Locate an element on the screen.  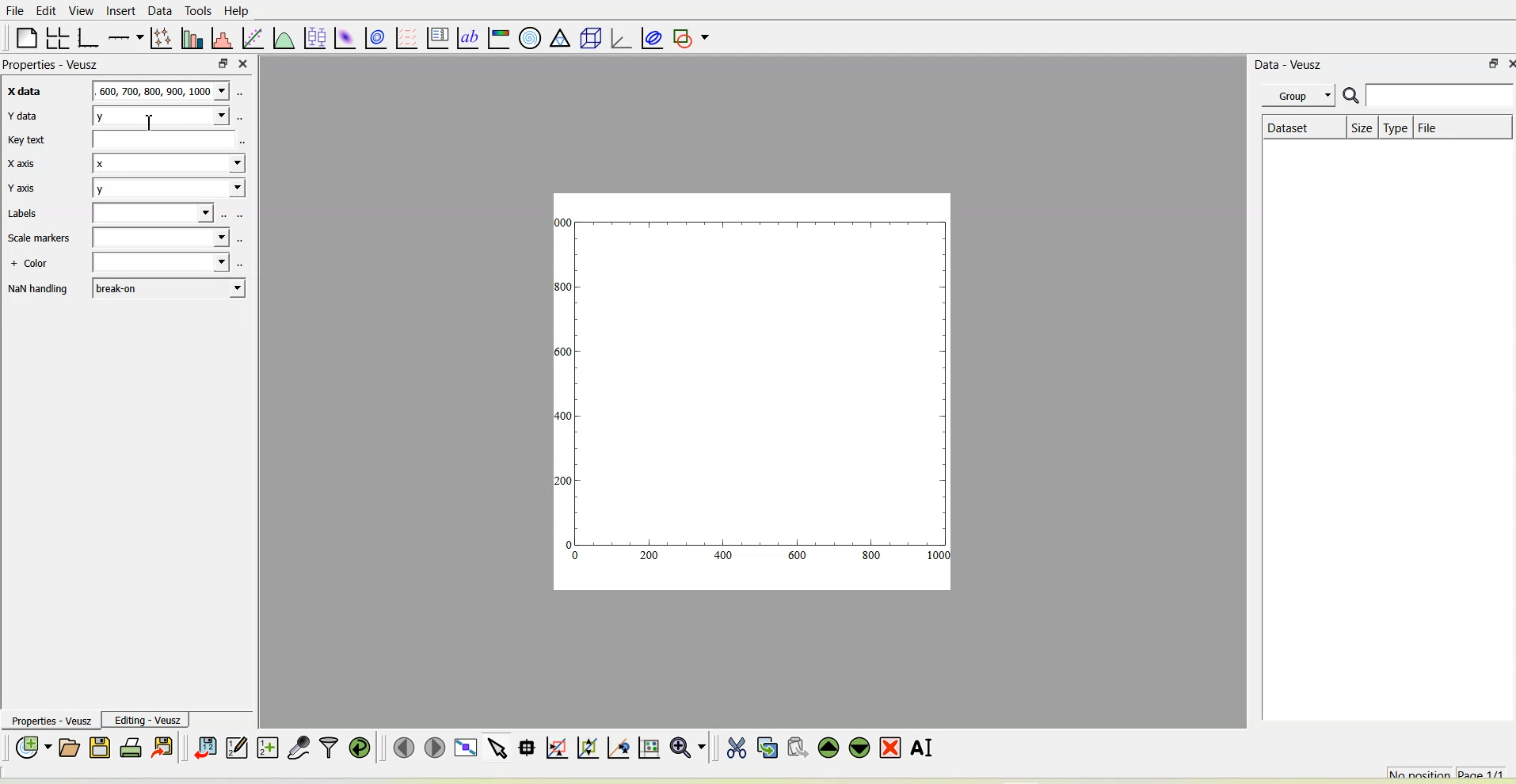
1000 is located at coordinates (563, 222).